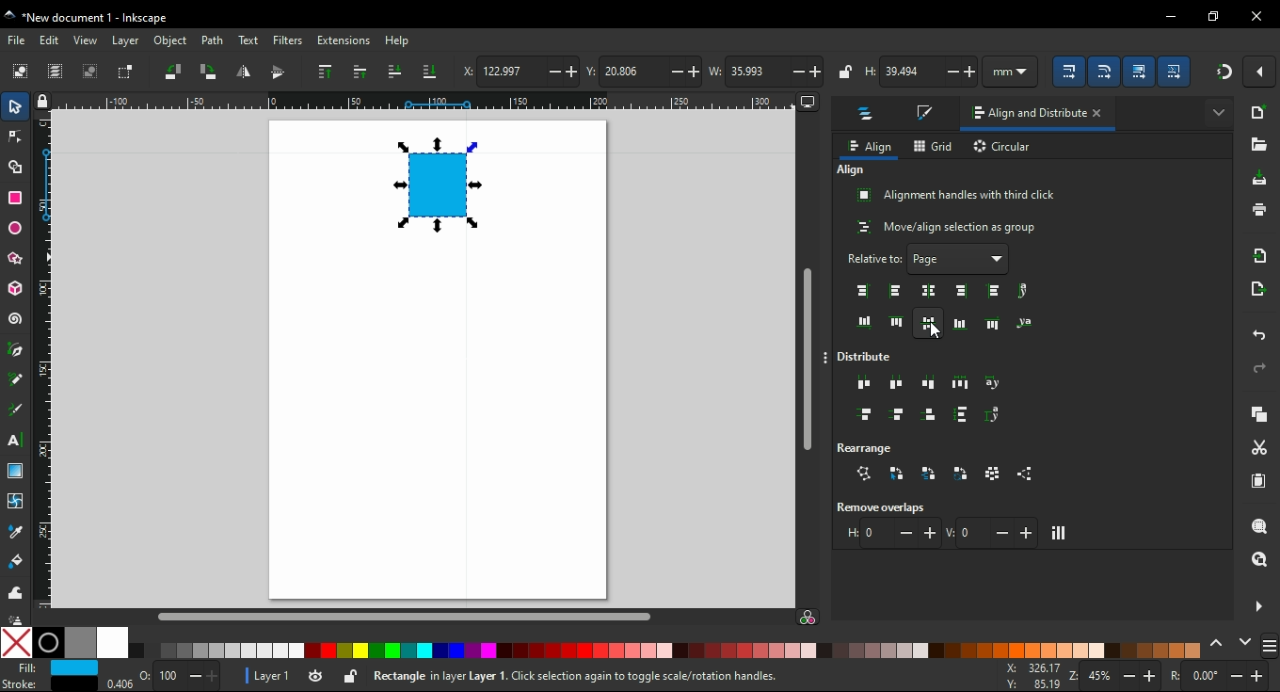 Image resolution: width=1280 pixels, height=692 pixels. I want to click on close, so click(1102, 115).